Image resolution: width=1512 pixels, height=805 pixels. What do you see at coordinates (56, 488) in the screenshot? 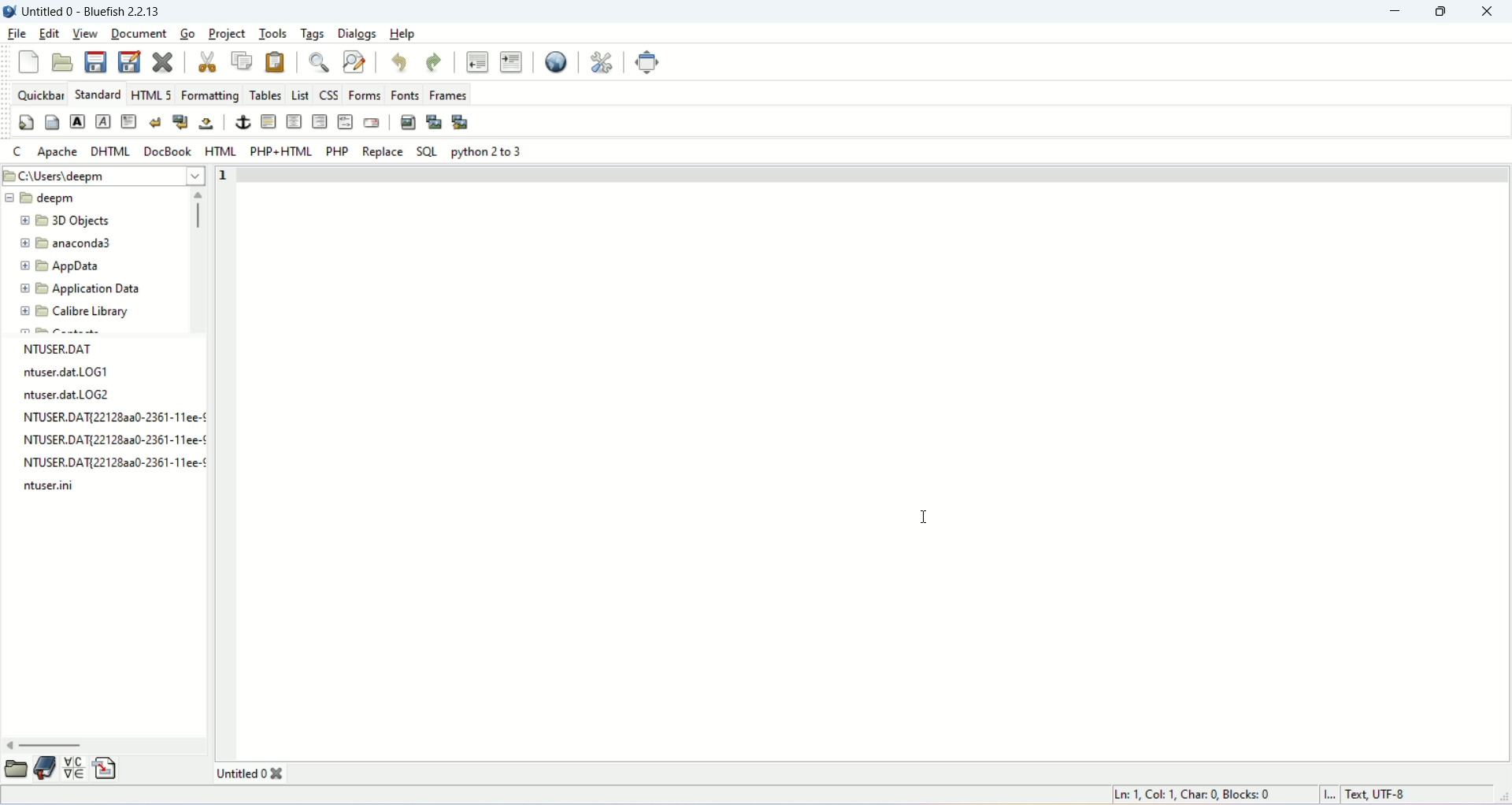
I see `ntuser.ini` at bounding box center [56, 488].